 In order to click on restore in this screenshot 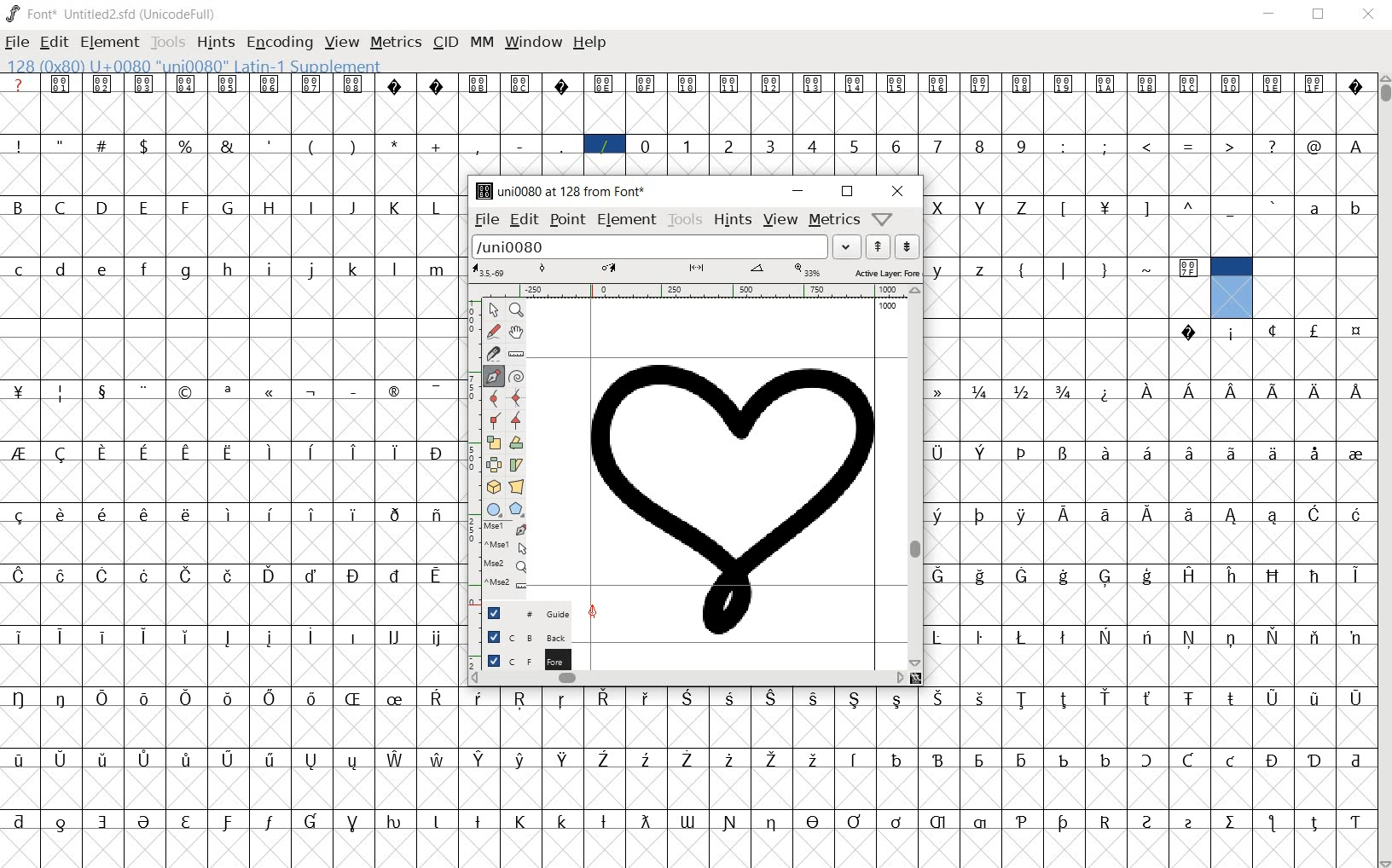, I will do `click(847, 192)`.